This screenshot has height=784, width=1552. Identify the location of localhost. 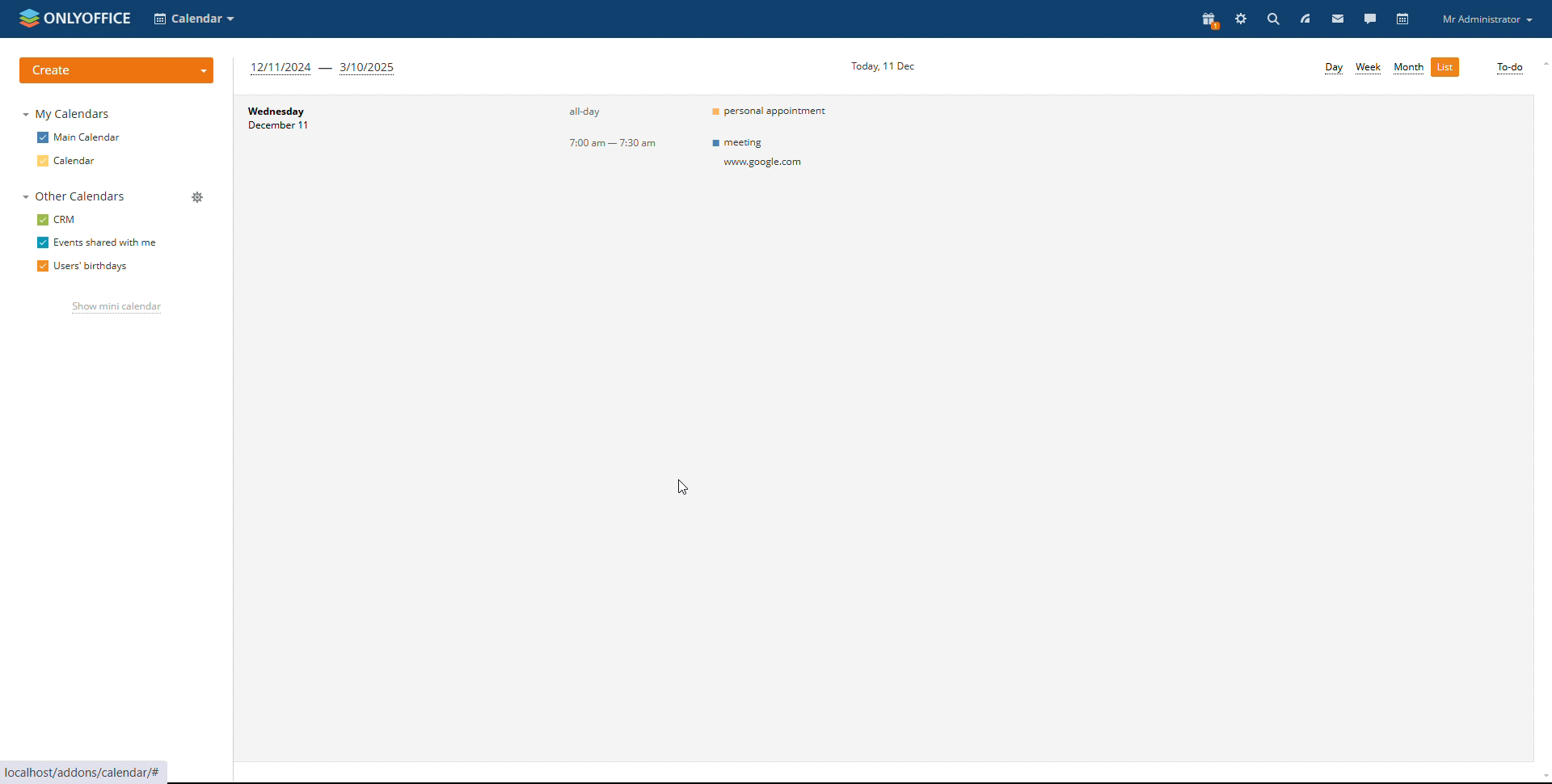
(100, 773).